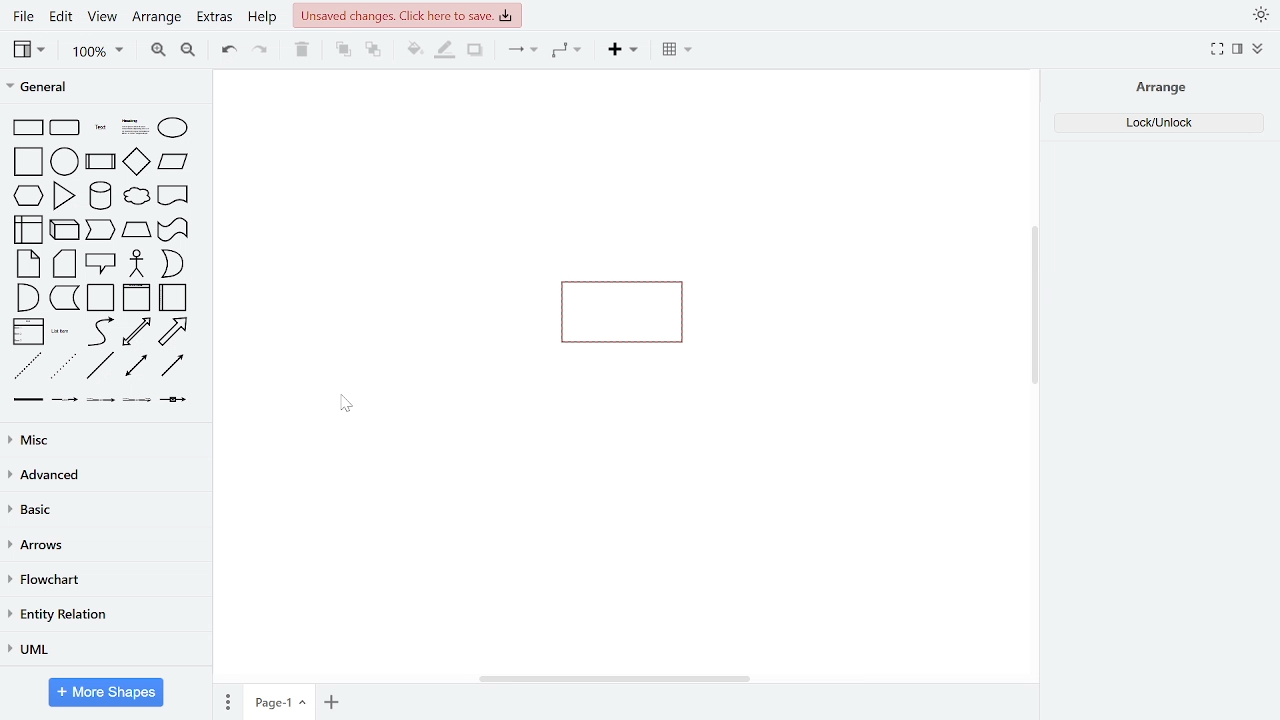 The height and width of the screenshot is (720, 1280). I want to click on hexagon, so click(27, 195).